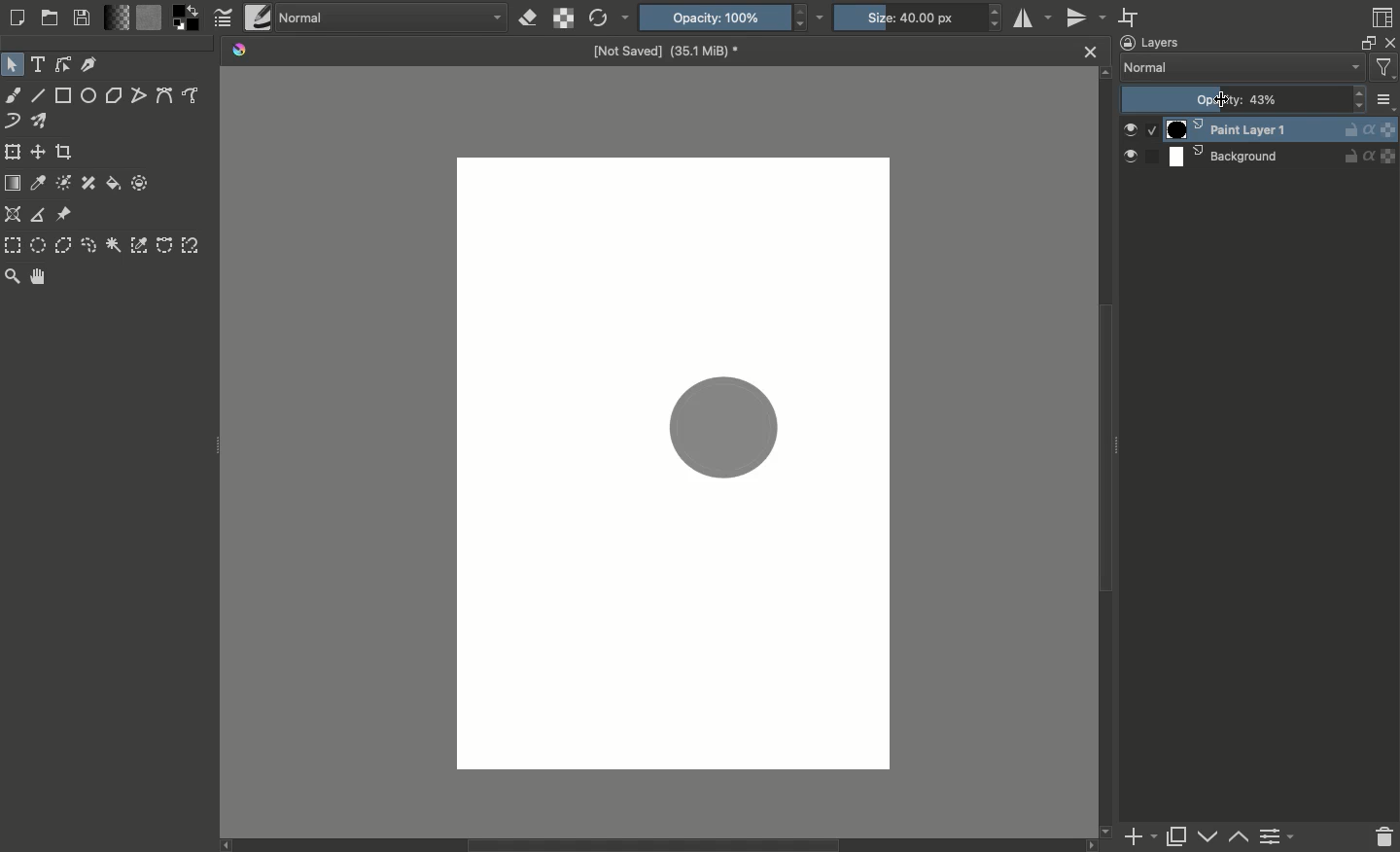 The height and width of the screenshot is (852, 1400). Describe the element at coordinates (1239, 836) in the screenshot. I see `Raise layer` at that location.